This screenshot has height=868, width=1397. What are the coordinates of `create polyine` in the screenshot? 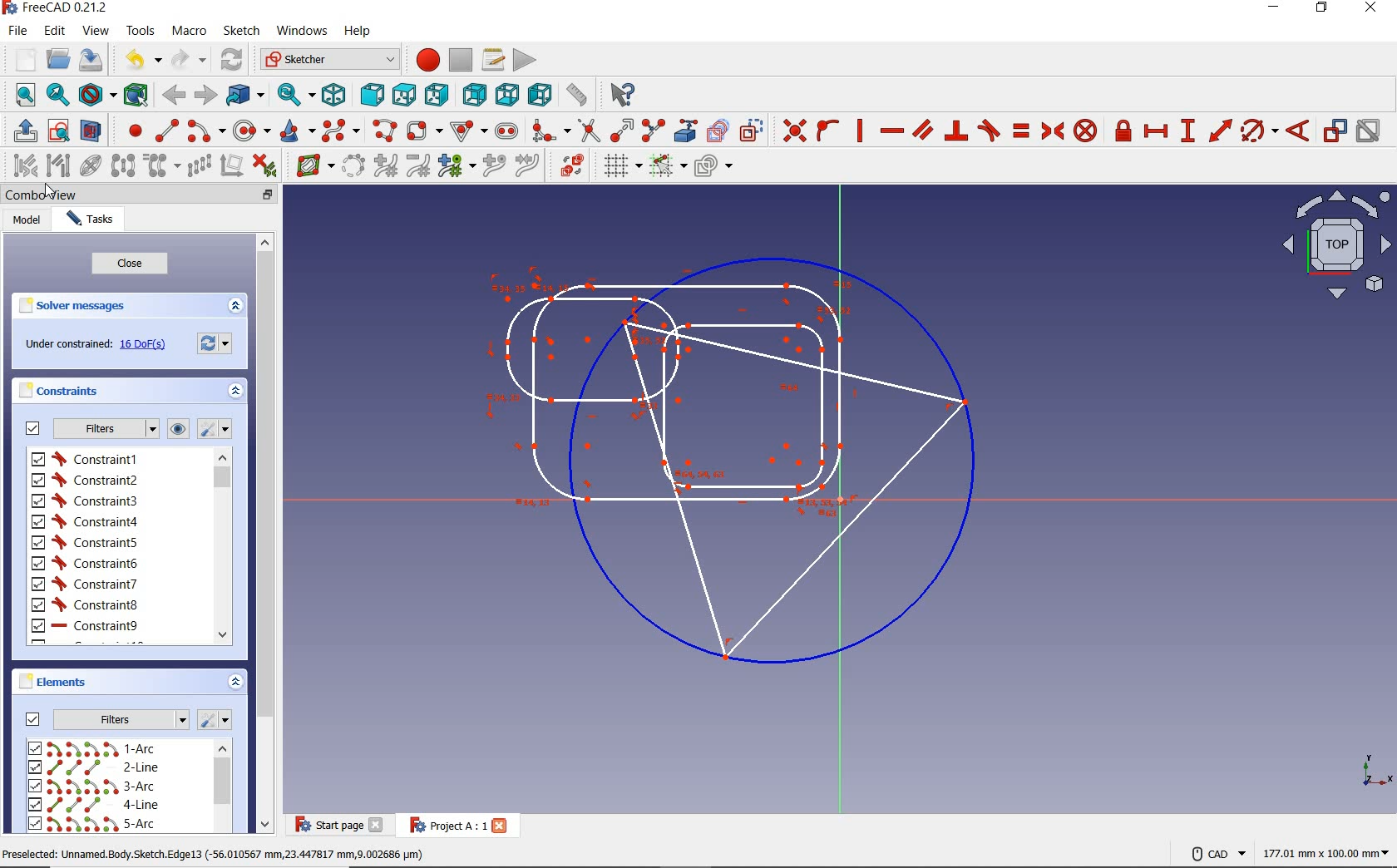 It's located at (383, 131).